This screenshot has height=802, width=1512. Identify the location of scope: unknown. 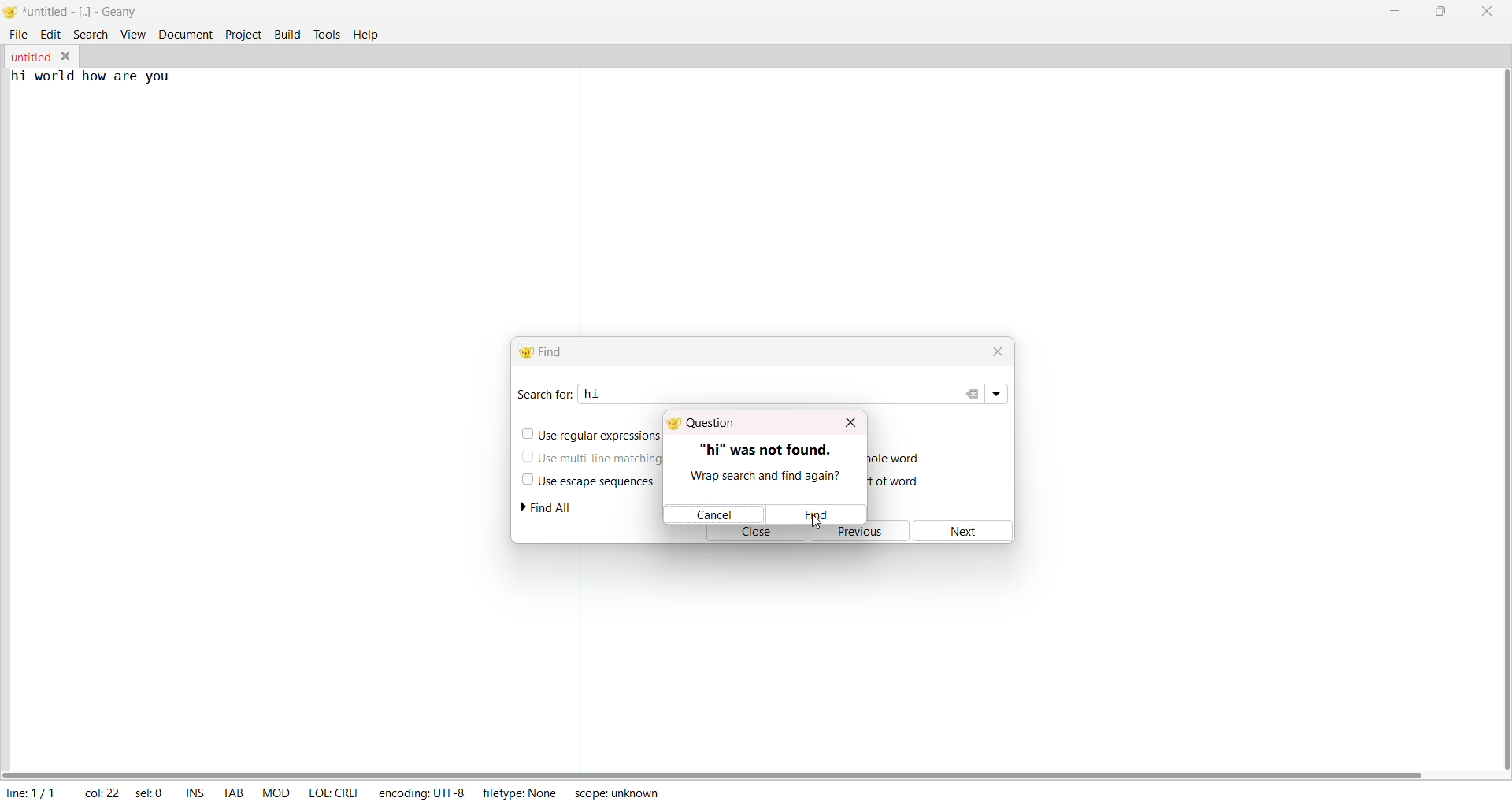
(613, 792).